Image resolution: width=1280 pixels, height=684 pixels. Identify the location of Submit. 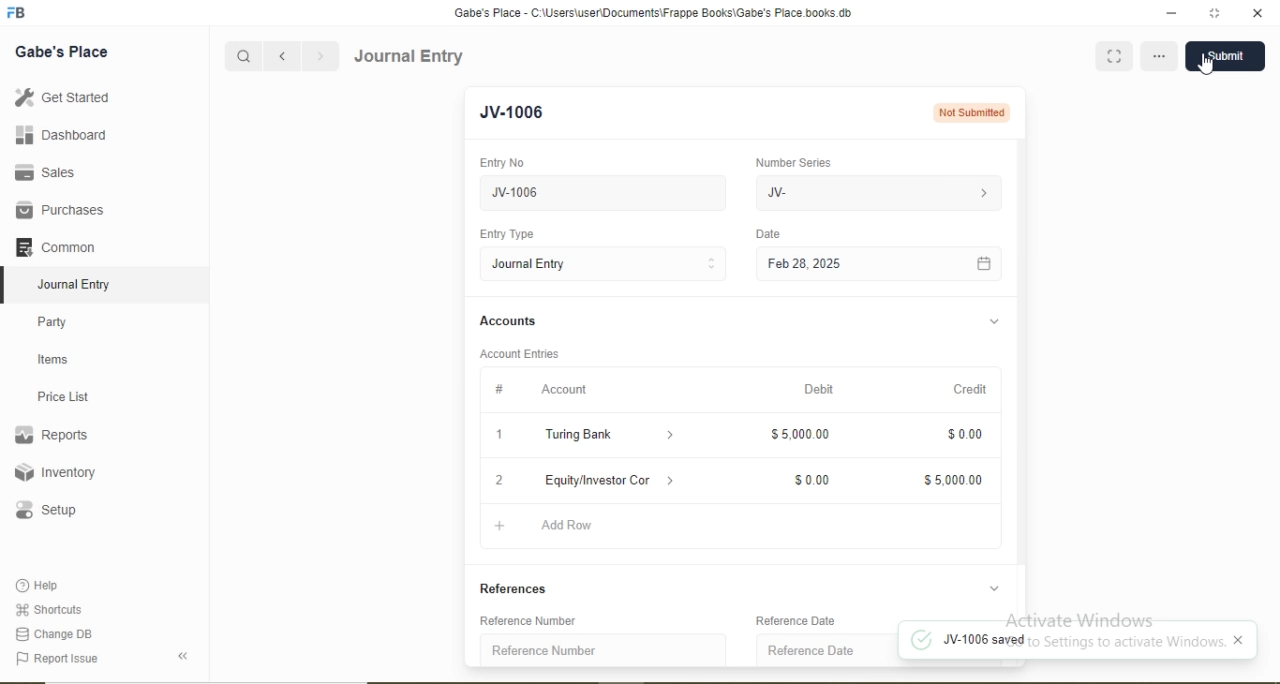
(1221, 56).